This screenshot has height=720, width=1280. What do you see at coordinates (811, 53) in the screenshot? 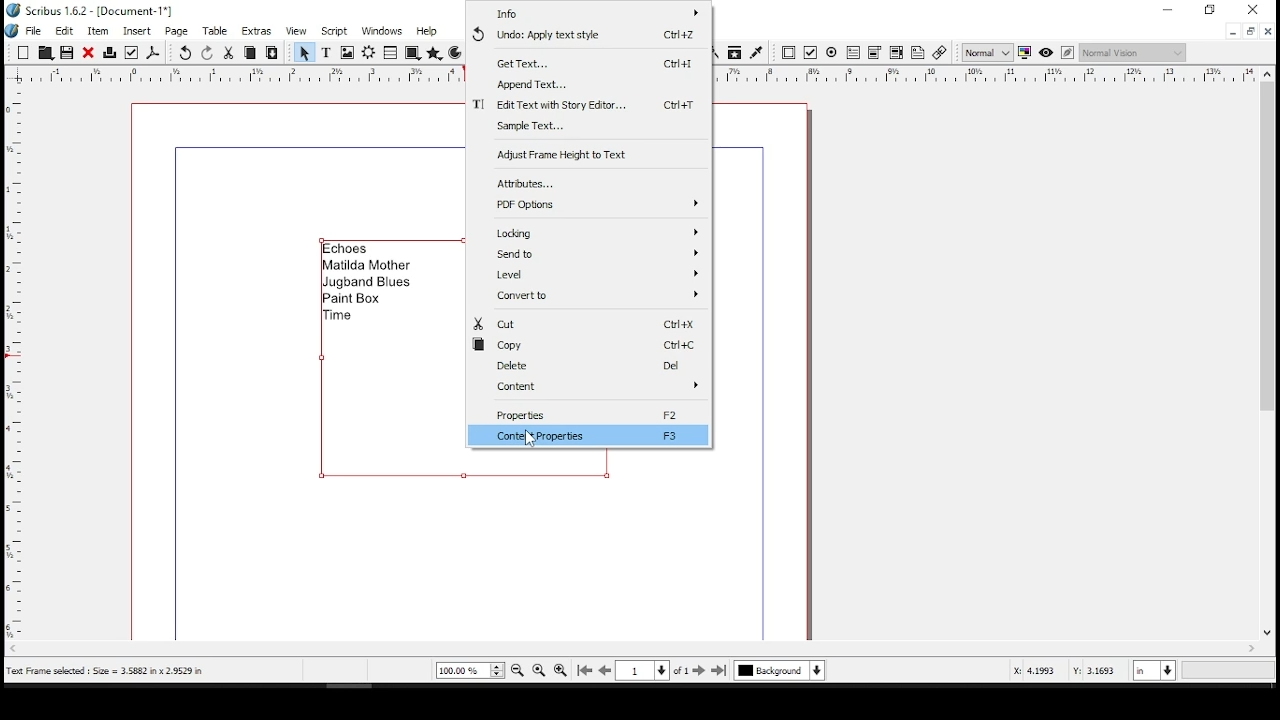
I see `PDF check button` at bounding box center [811, 53].